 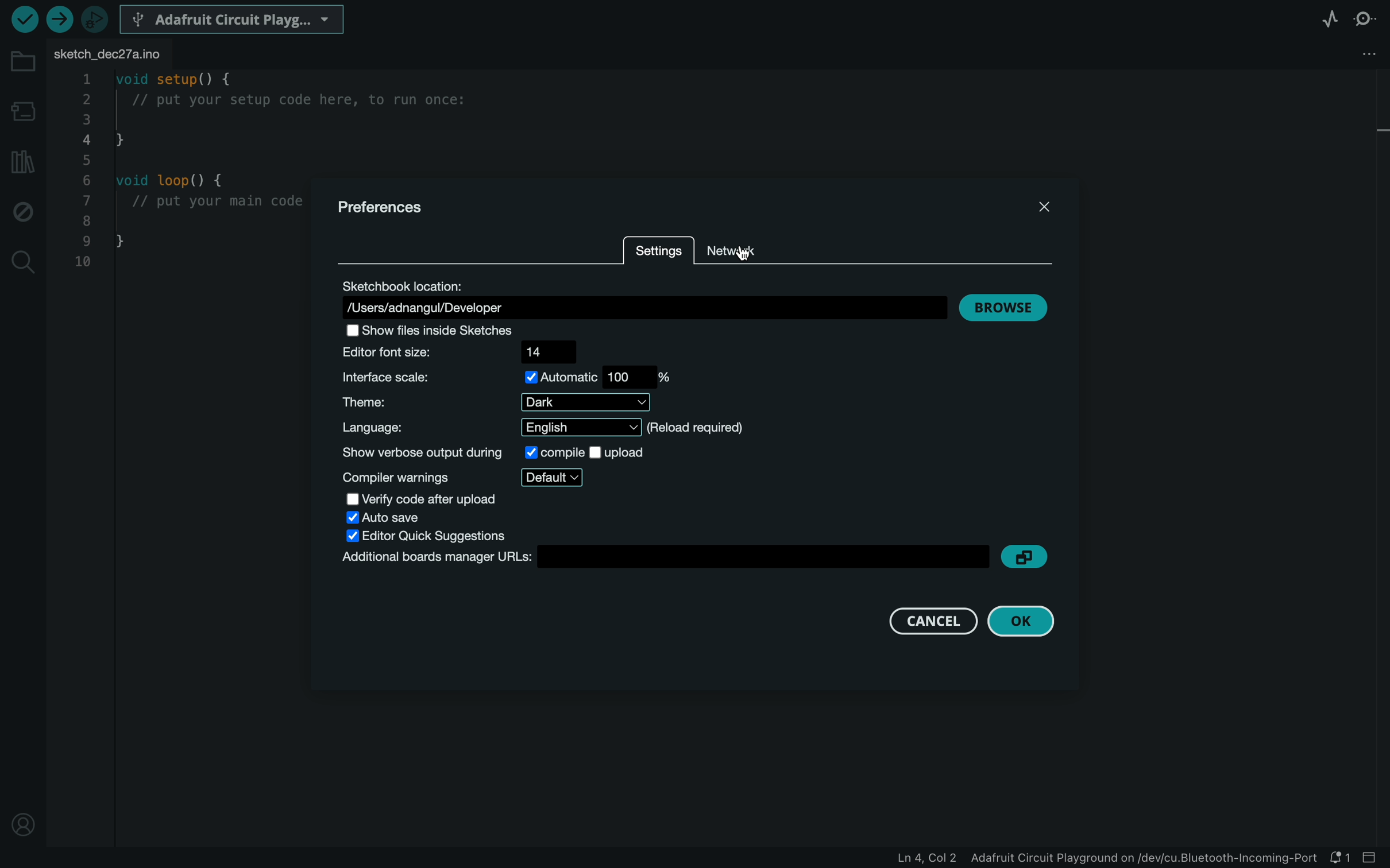 I want to click on prefernces, so click(x=391, y=210).